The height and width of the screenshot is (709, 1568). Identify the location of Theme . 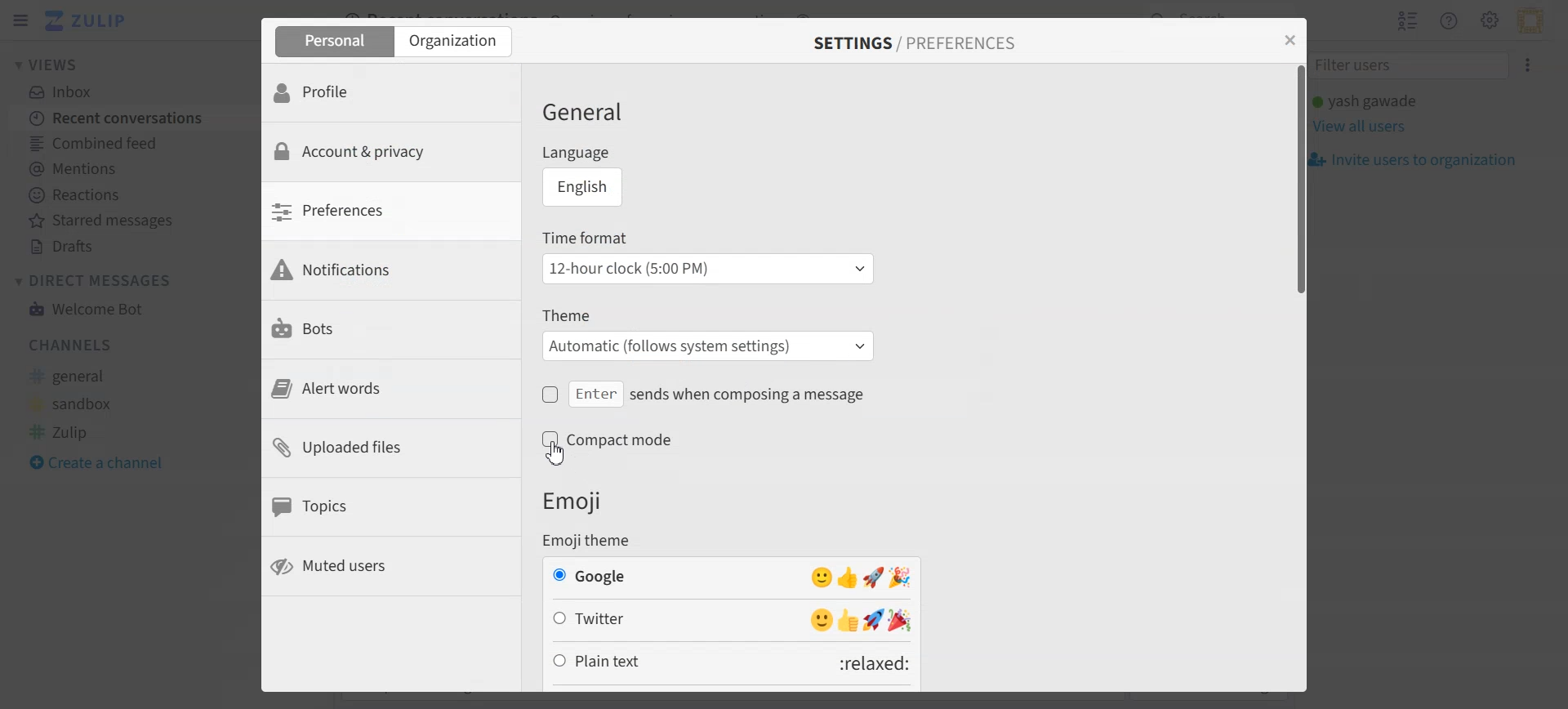
(710, 317).